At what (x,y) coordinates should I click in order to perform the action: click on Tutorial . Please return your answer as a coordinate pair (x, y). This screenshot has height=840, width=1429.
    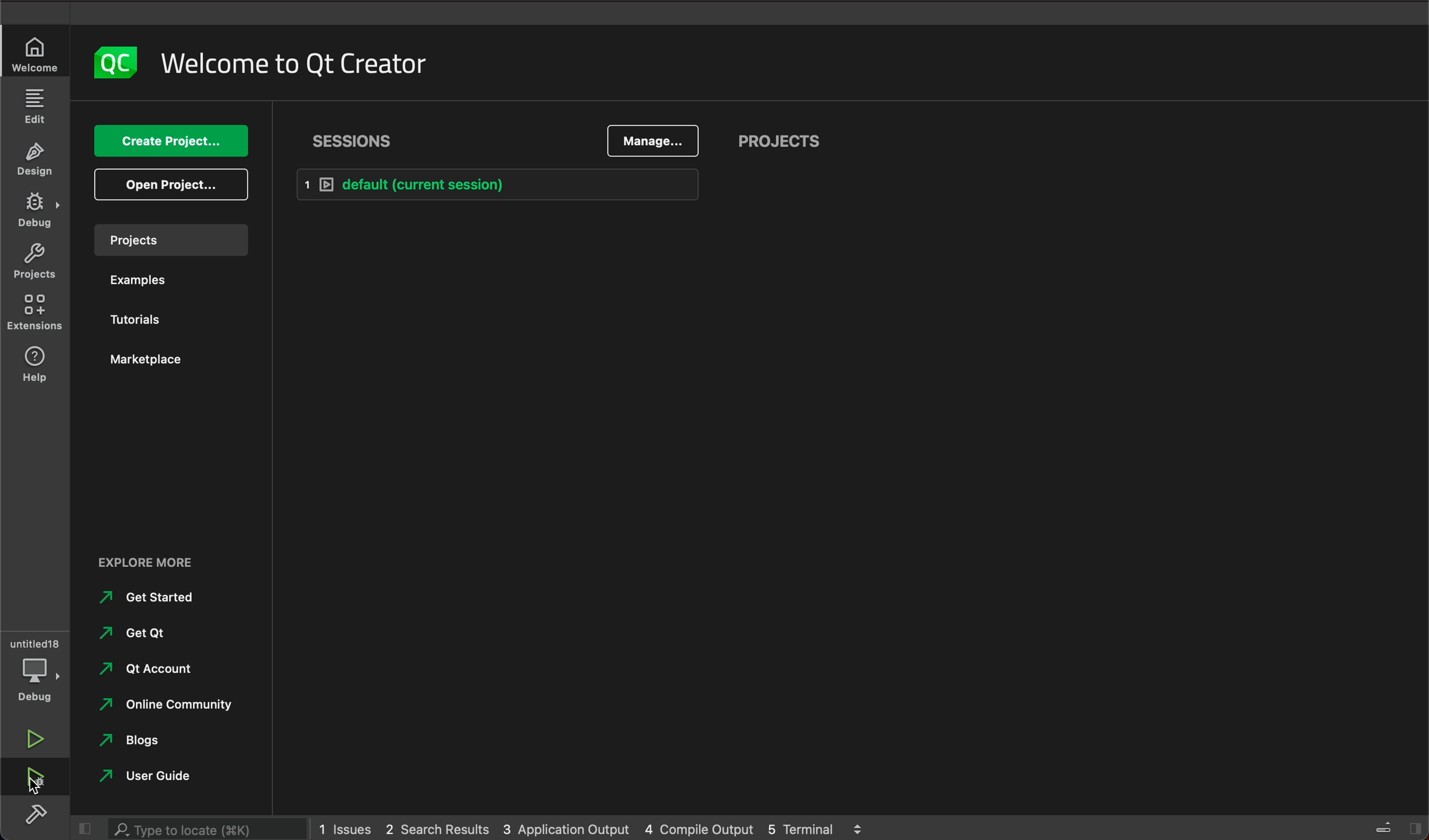
    Looking at the image, I should click on (164, 315).